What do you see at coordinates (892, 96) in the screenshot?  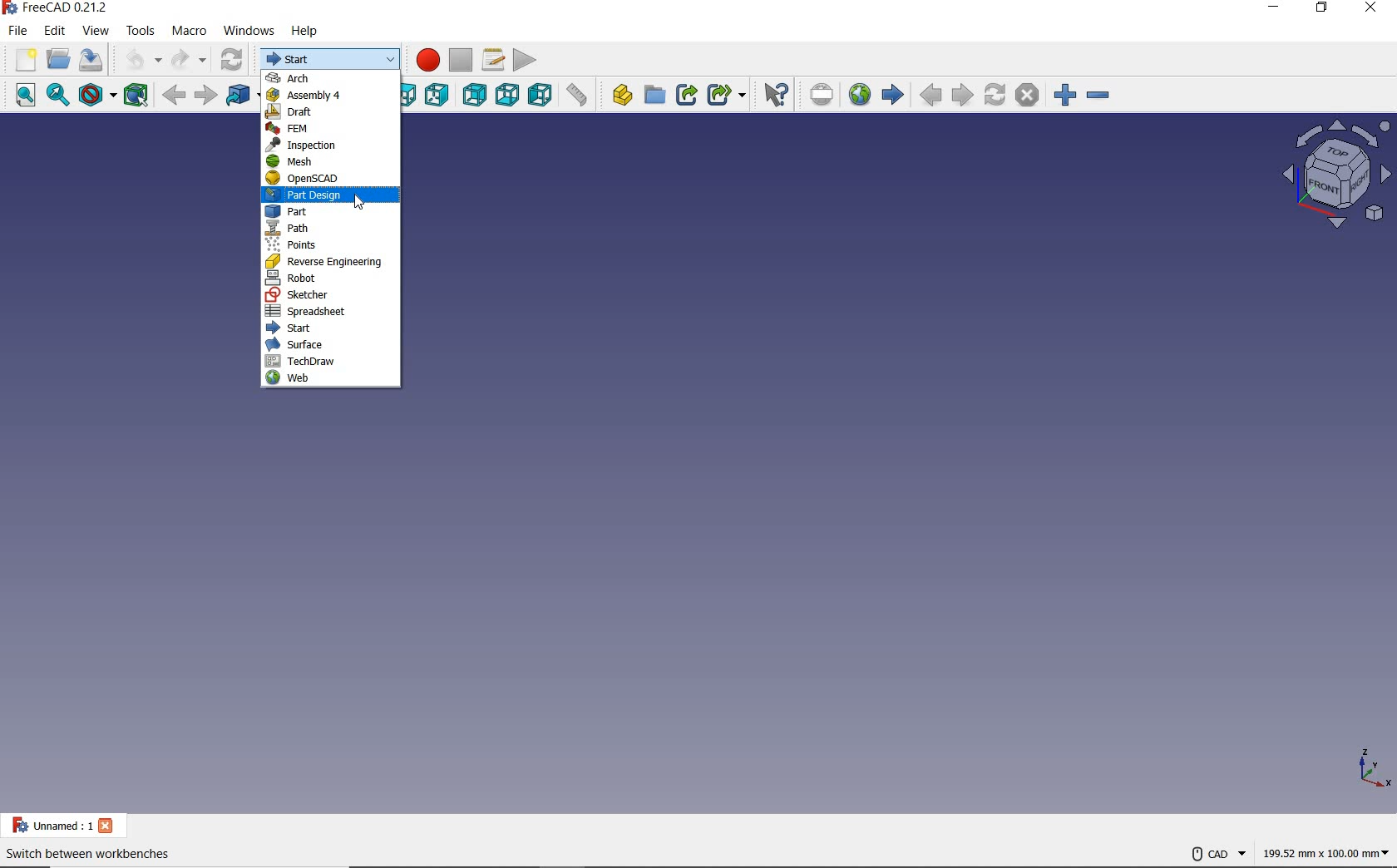 I see `START PAGE` at bounding box center [892, 96].